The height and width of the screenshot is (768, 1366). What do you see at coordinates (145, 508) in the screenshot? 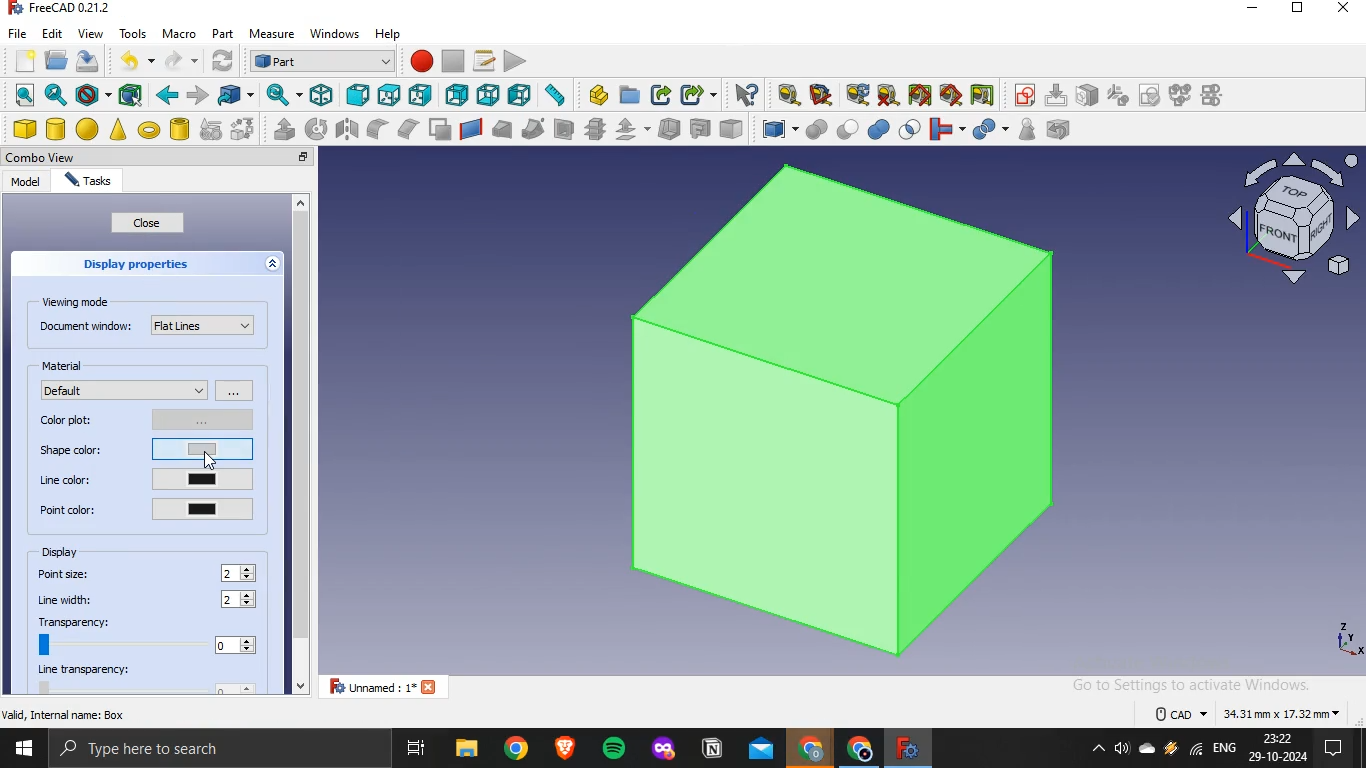
I see `point color` at bounding box center [145, 508].